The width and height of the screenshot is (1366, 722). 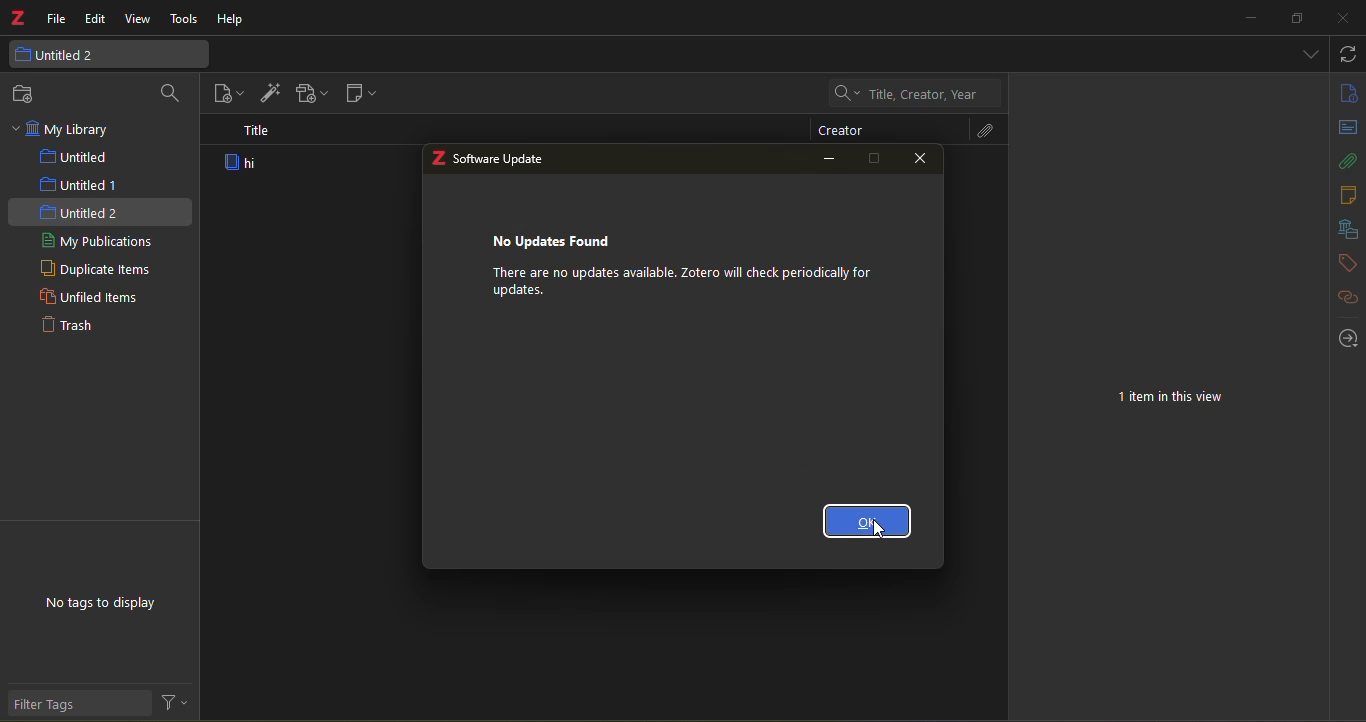 What do you see at coordinates (980, 130) in the screenshot?
I see `attach` at bounding box center [980, 130].